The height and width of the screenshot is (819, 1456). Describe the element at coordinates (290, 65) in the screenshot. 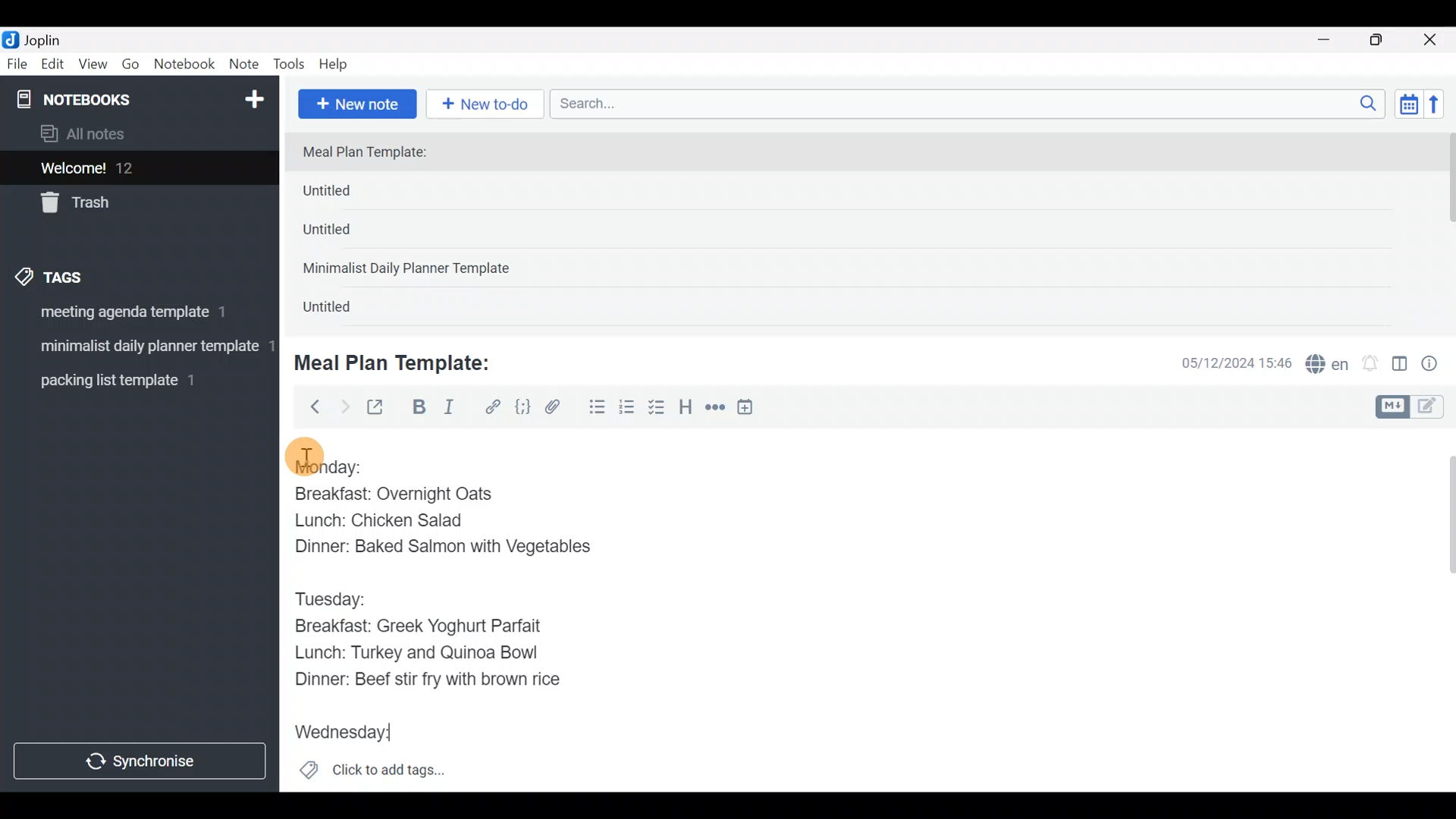

I see `Tools` at that location.